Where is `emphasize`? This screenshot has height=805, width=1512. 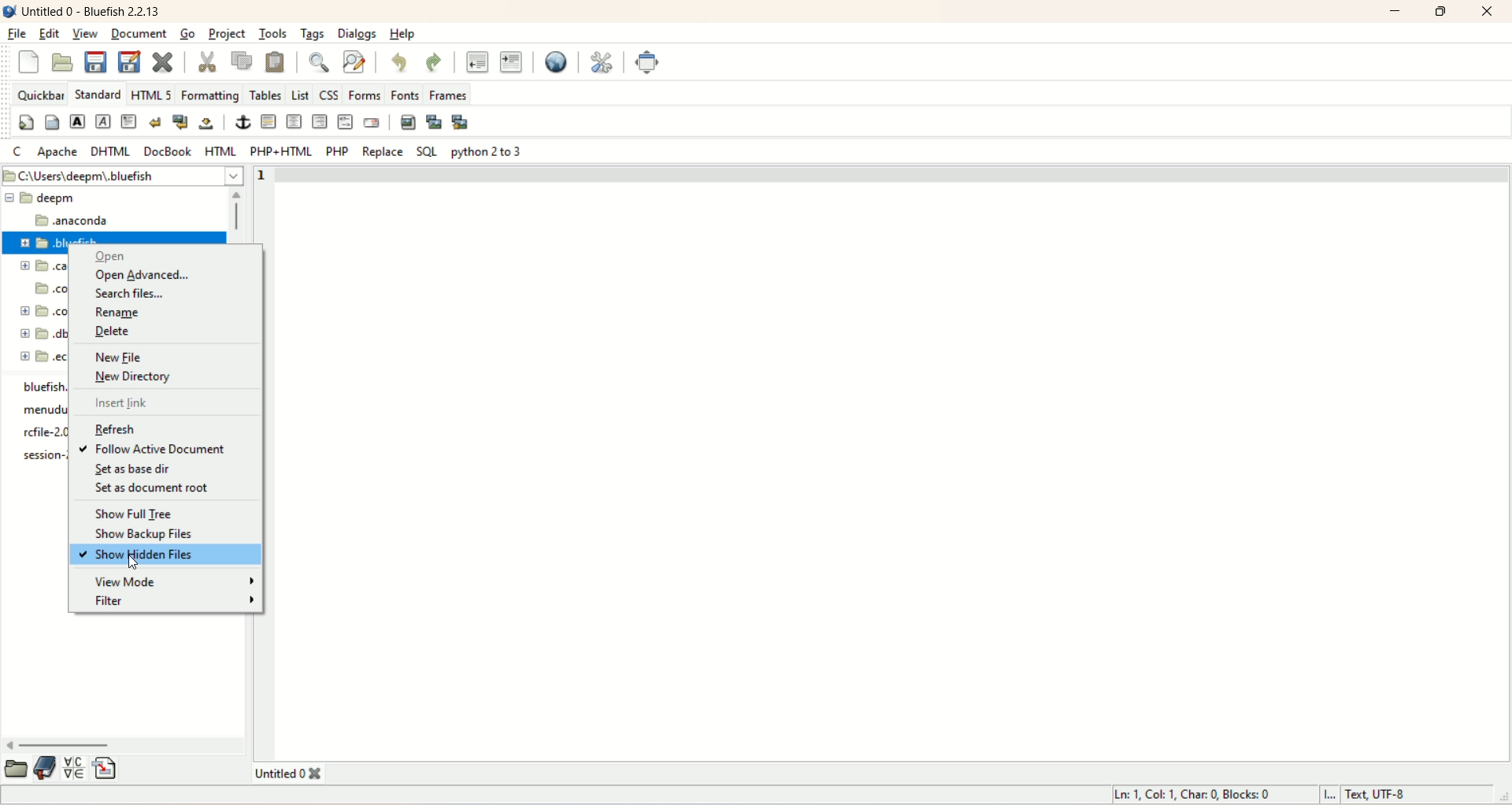
emphasize is located at coordinates (104, 121).